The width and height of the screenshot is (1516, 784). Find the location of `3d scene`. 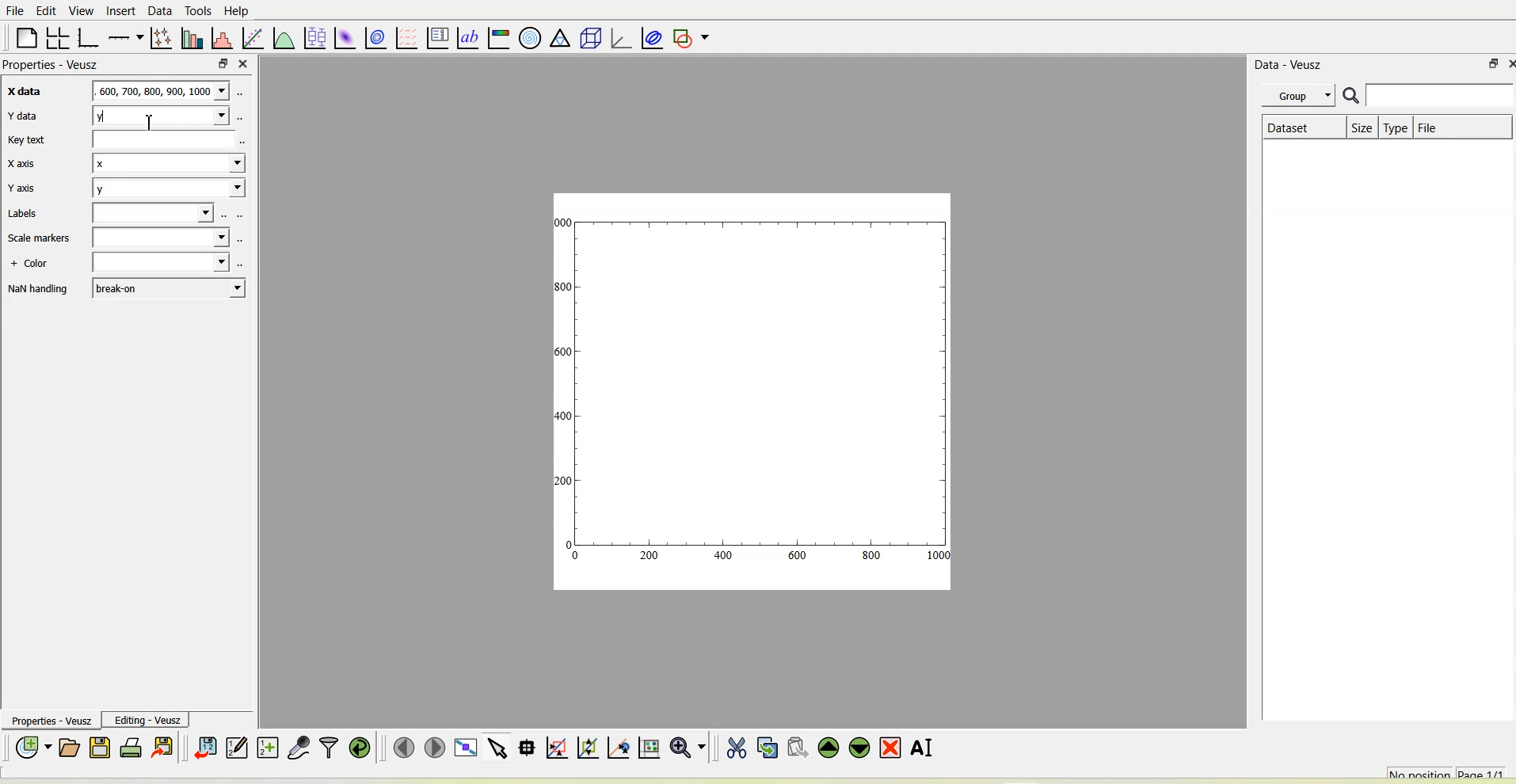

3d scene is located at coordinates (588, 37).